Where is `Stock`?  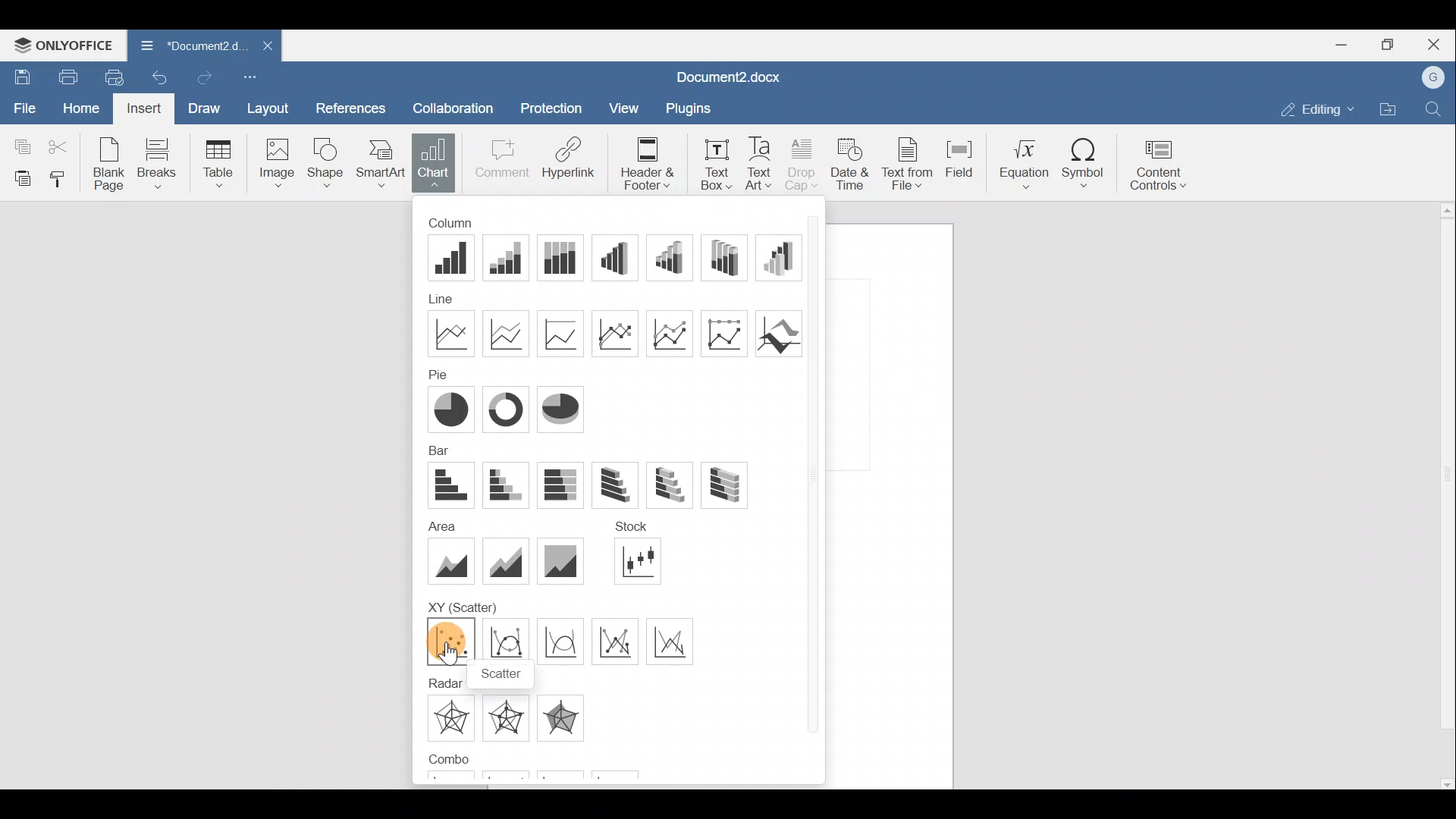
Stock is located at coordinates (636, 530).